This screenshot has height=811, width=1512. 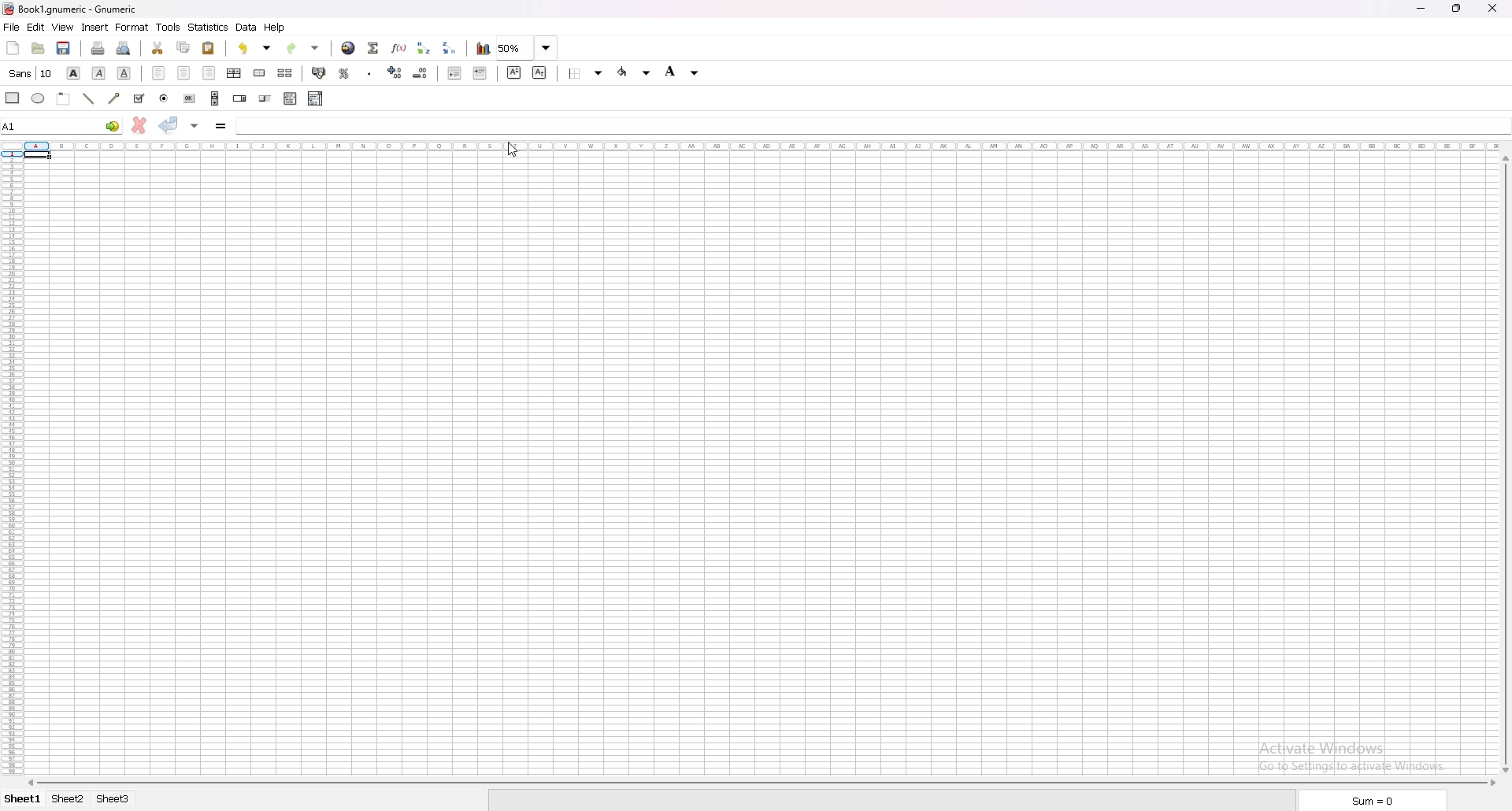 What do you see at coordinates (13, 98) in the screenshot?
I see `rectangle` at bounding box center [13, 98].